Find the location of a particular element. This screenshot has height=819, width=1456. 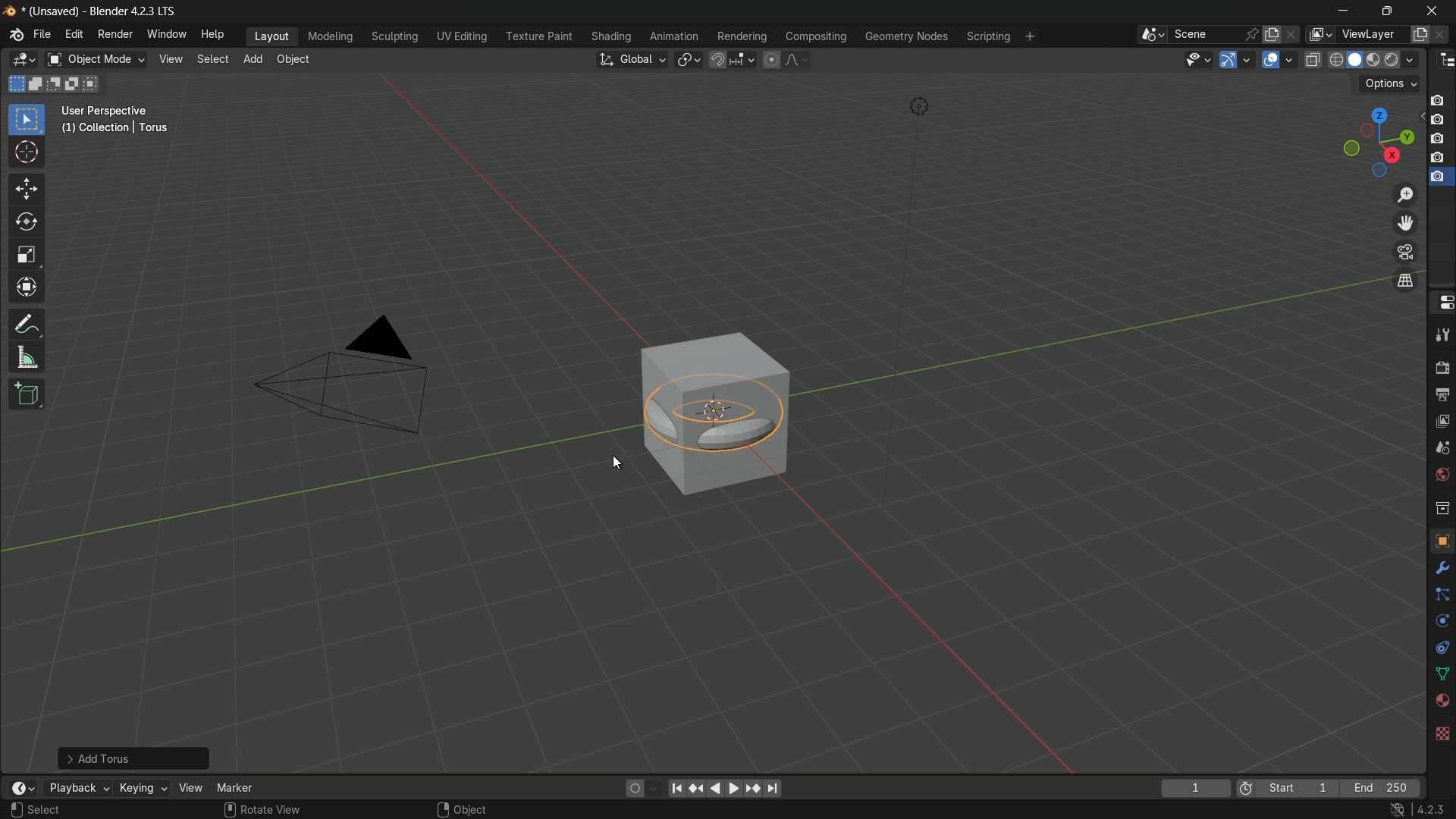

particle is located at coordinates (1441, 596).